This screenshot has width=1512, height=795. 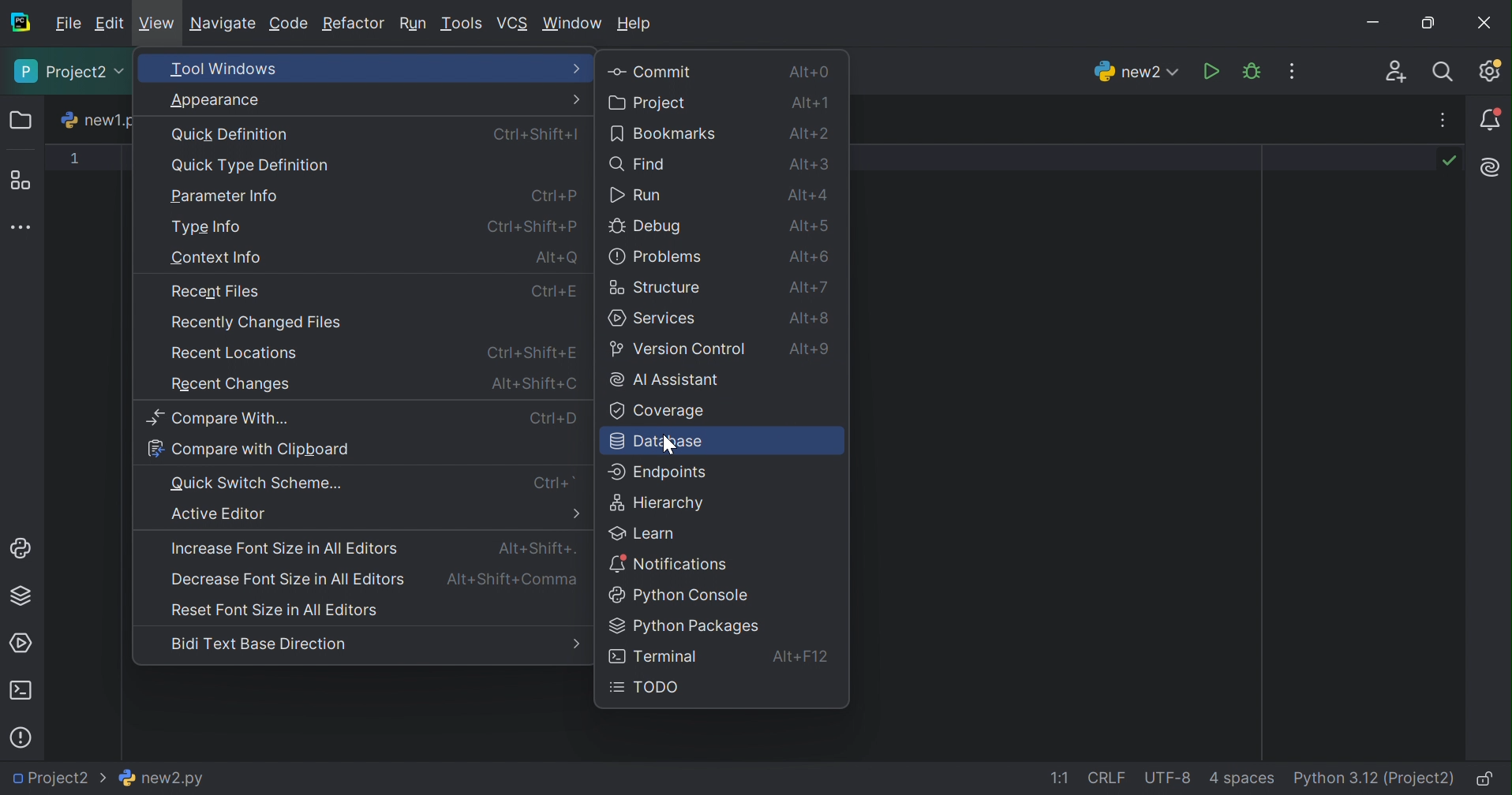 I want to click on 1, so click(x=74, y=158).